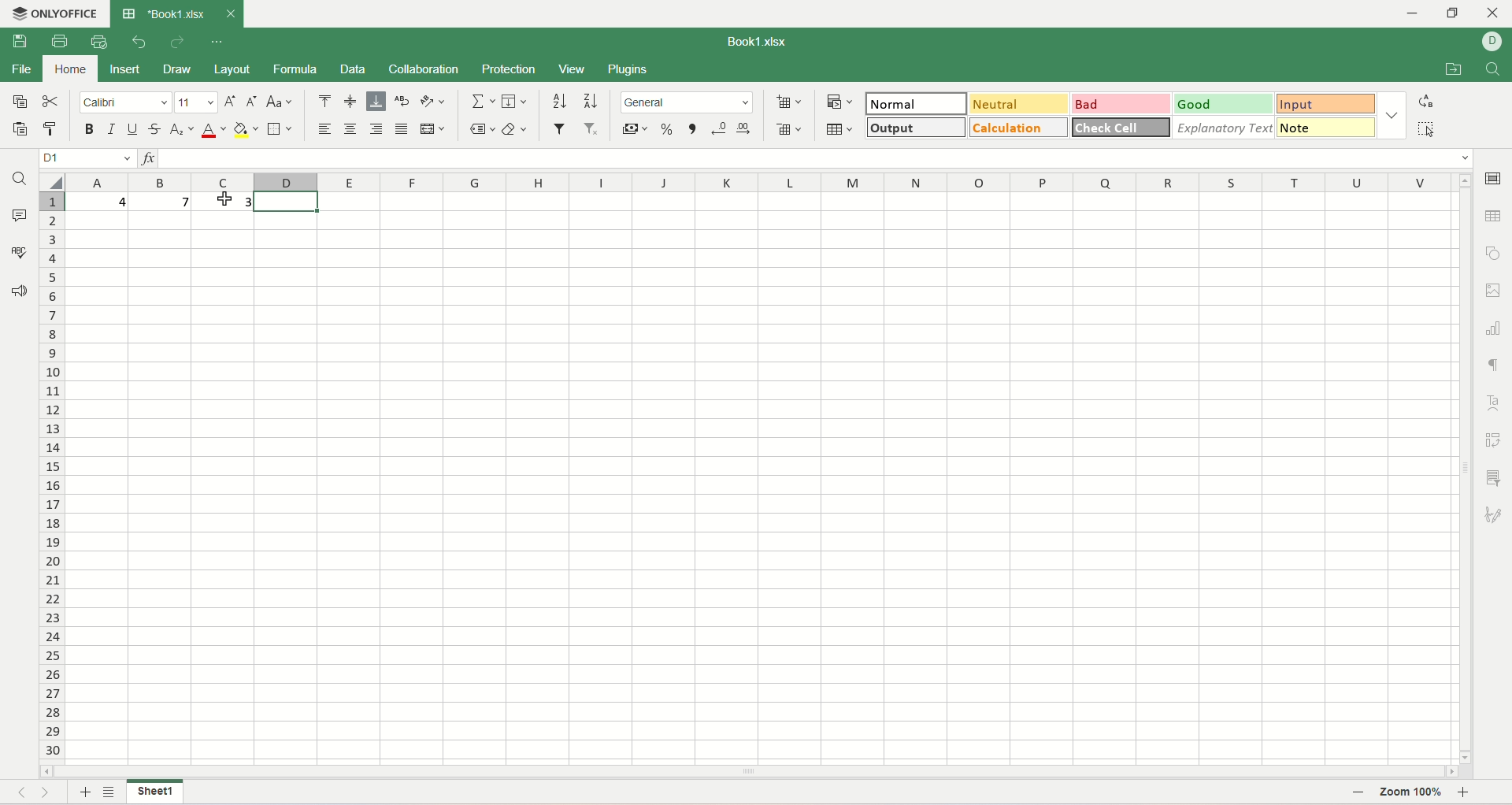 The image size is (1512, 805). What do you see at coordinates (763, 478) in the screenshot?
I see `worksheet` at bounding box center [763, 478].